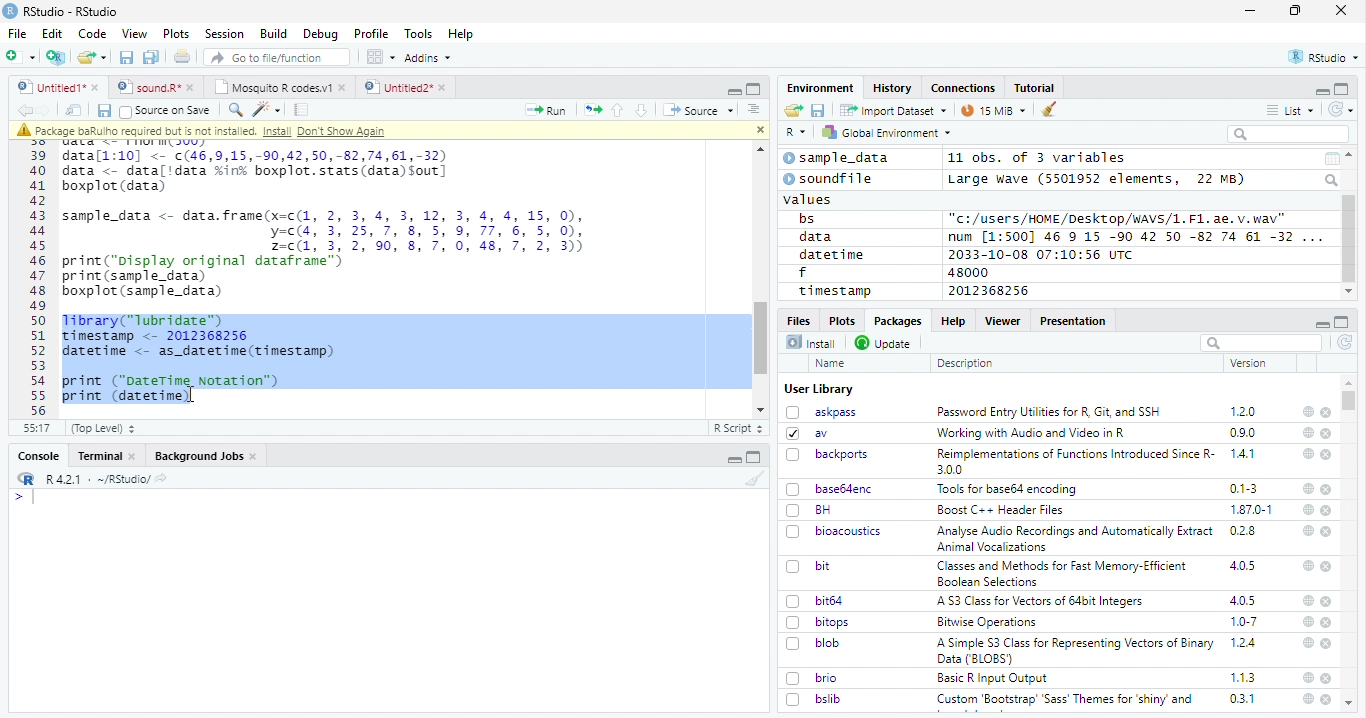 This screenshot has height=718, width=1366. What do you see at coordinates (1307, 453) in the screenshot?
I see `help` at bounding box center [1307, 453].